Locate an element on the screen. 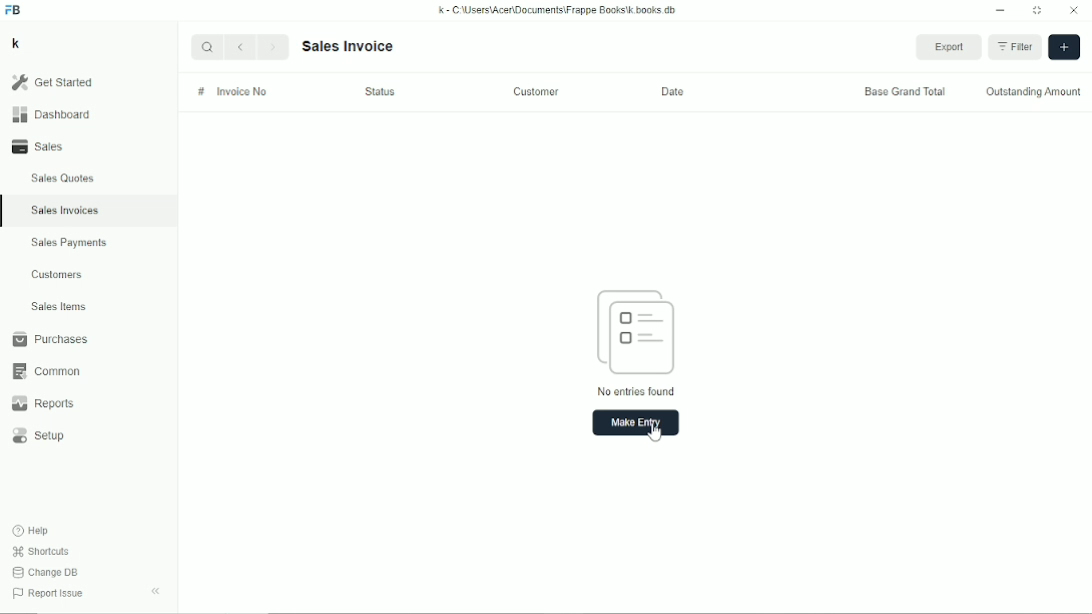 This screenshot has height=614, width=1092. Outstanding amount is located at coordinates (1034, 91).